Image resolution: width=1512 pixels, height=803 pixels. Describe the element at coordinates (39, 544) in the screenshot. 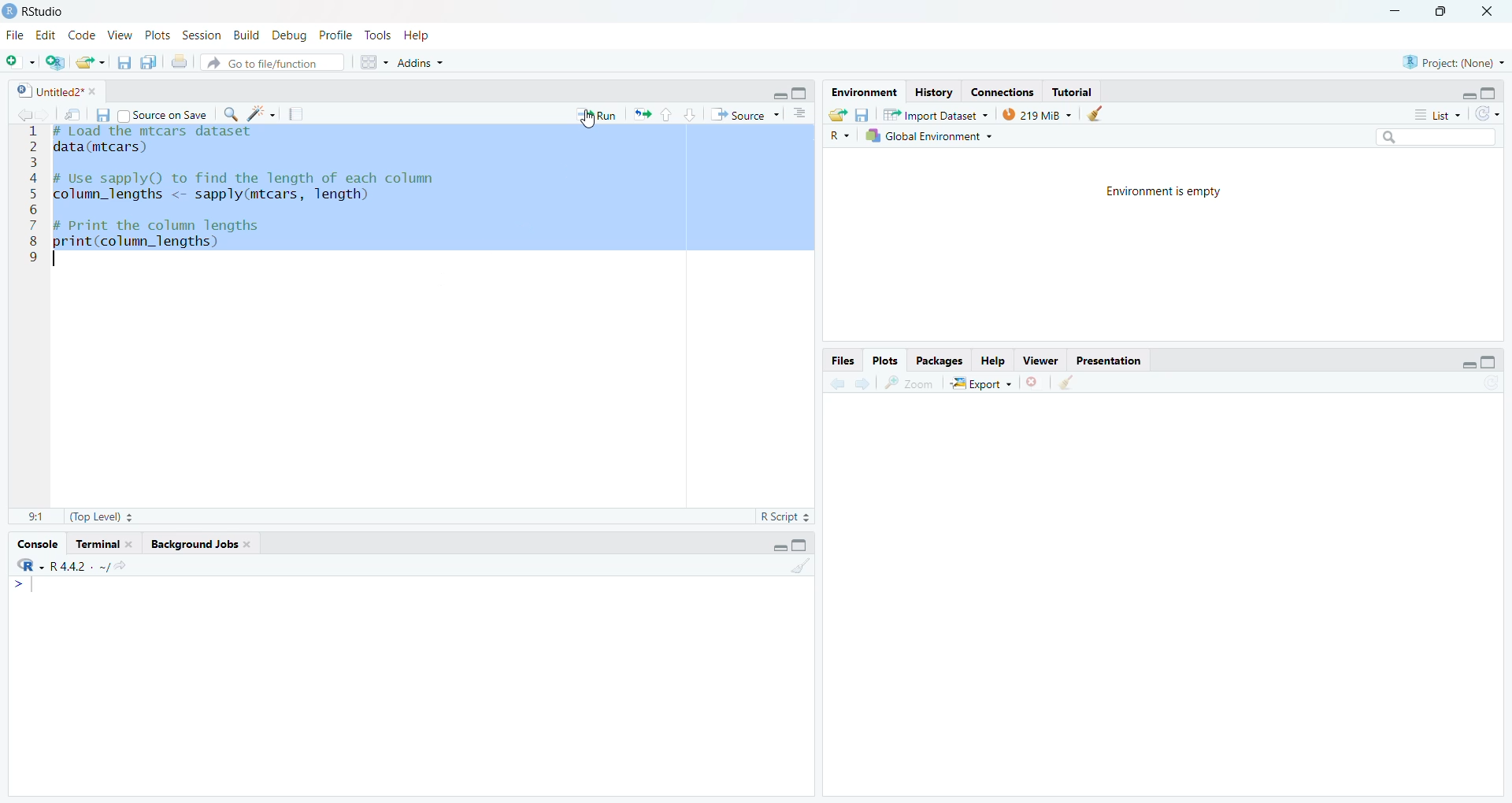

I see `Console` at that location.